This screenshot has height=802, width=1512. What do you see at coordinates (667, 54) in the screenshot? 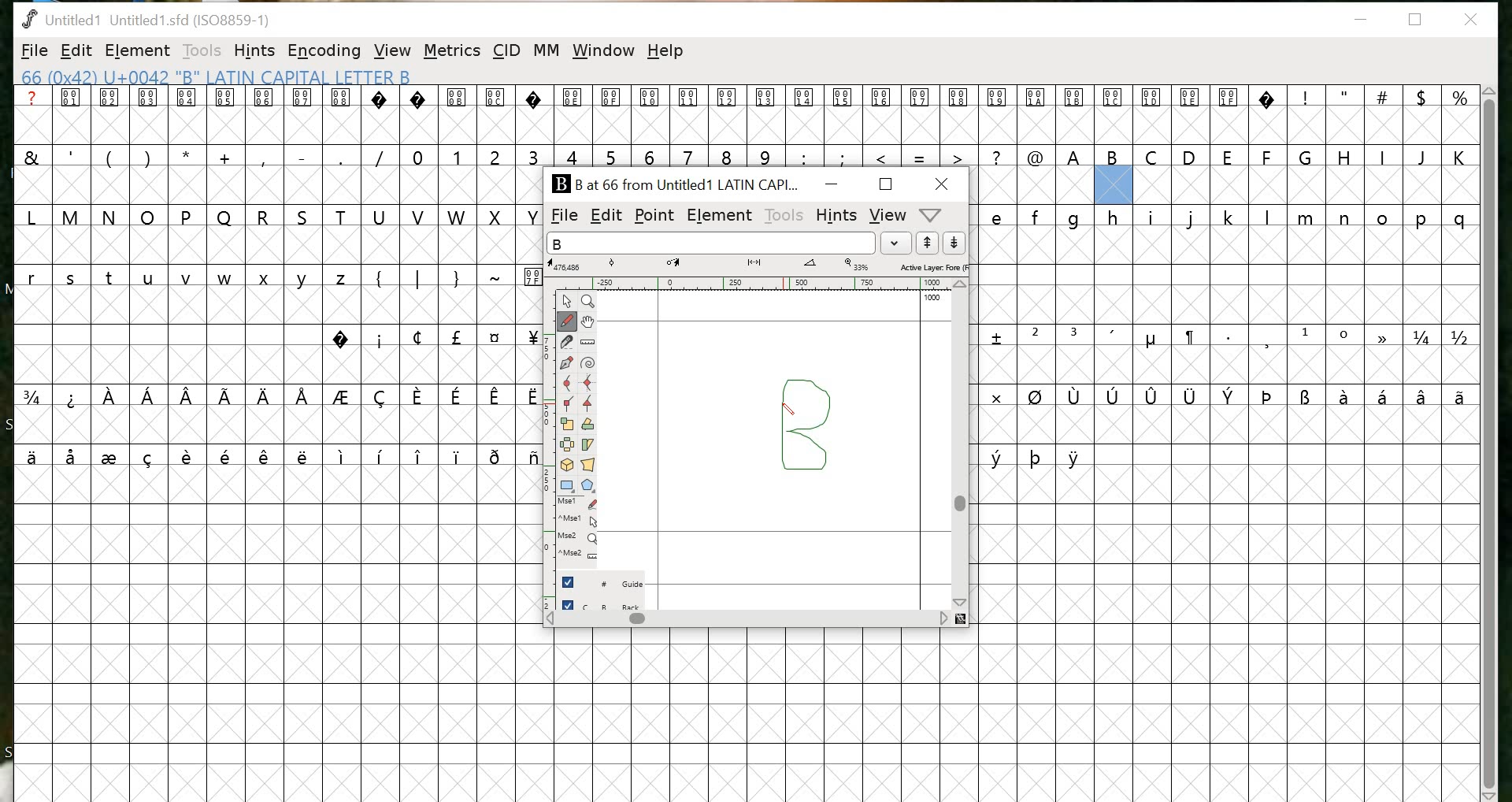
I see `help` at bounding box center [667, 54].